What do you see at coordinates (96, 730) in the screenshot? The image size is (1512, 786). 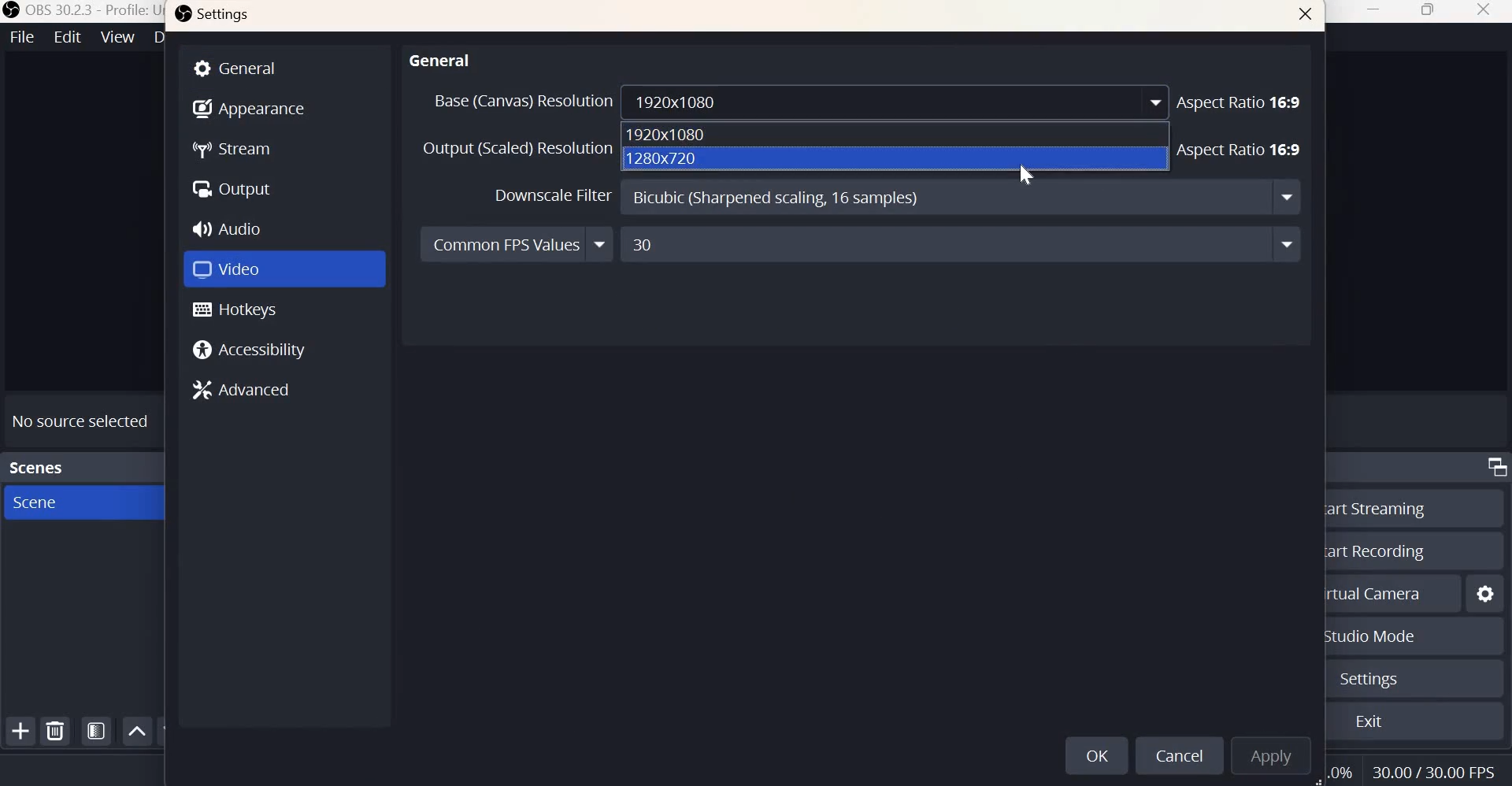 I see `Open scene filters` at bounding box center [96, 730].